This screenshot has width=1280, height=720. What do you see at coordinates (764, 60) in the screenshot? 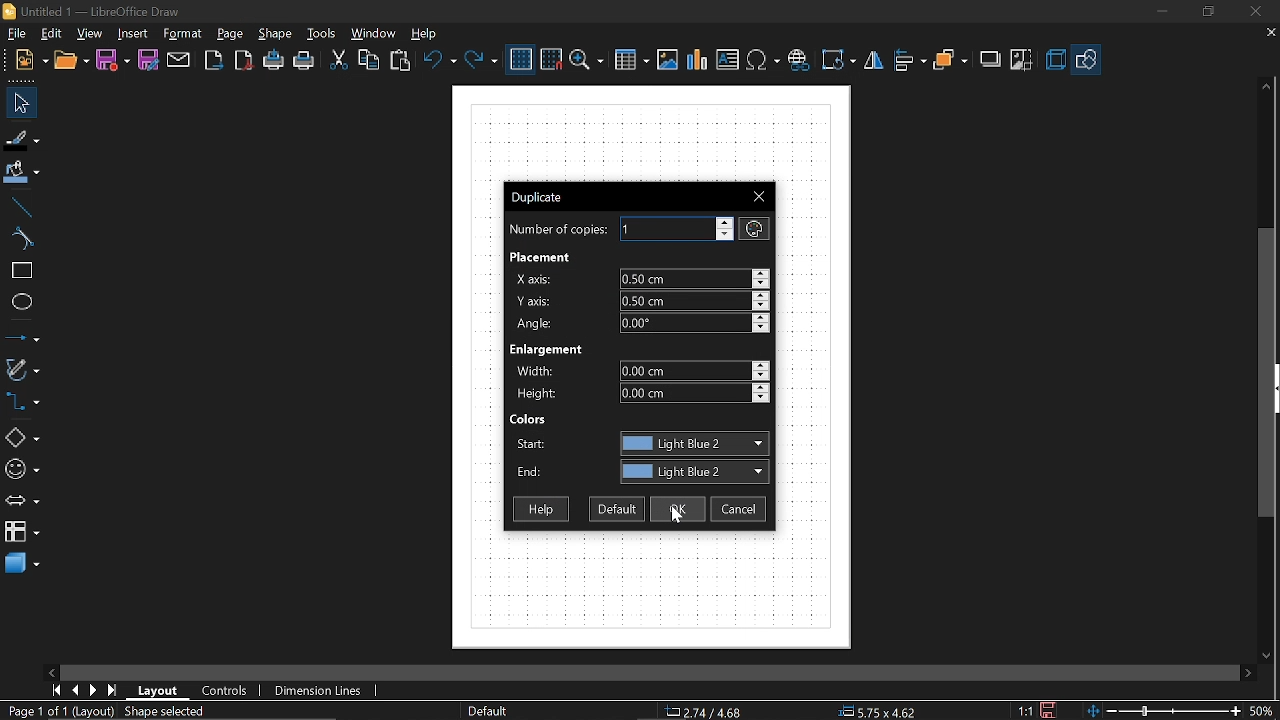
I see `Insert text` at bounding box center [764, 60].